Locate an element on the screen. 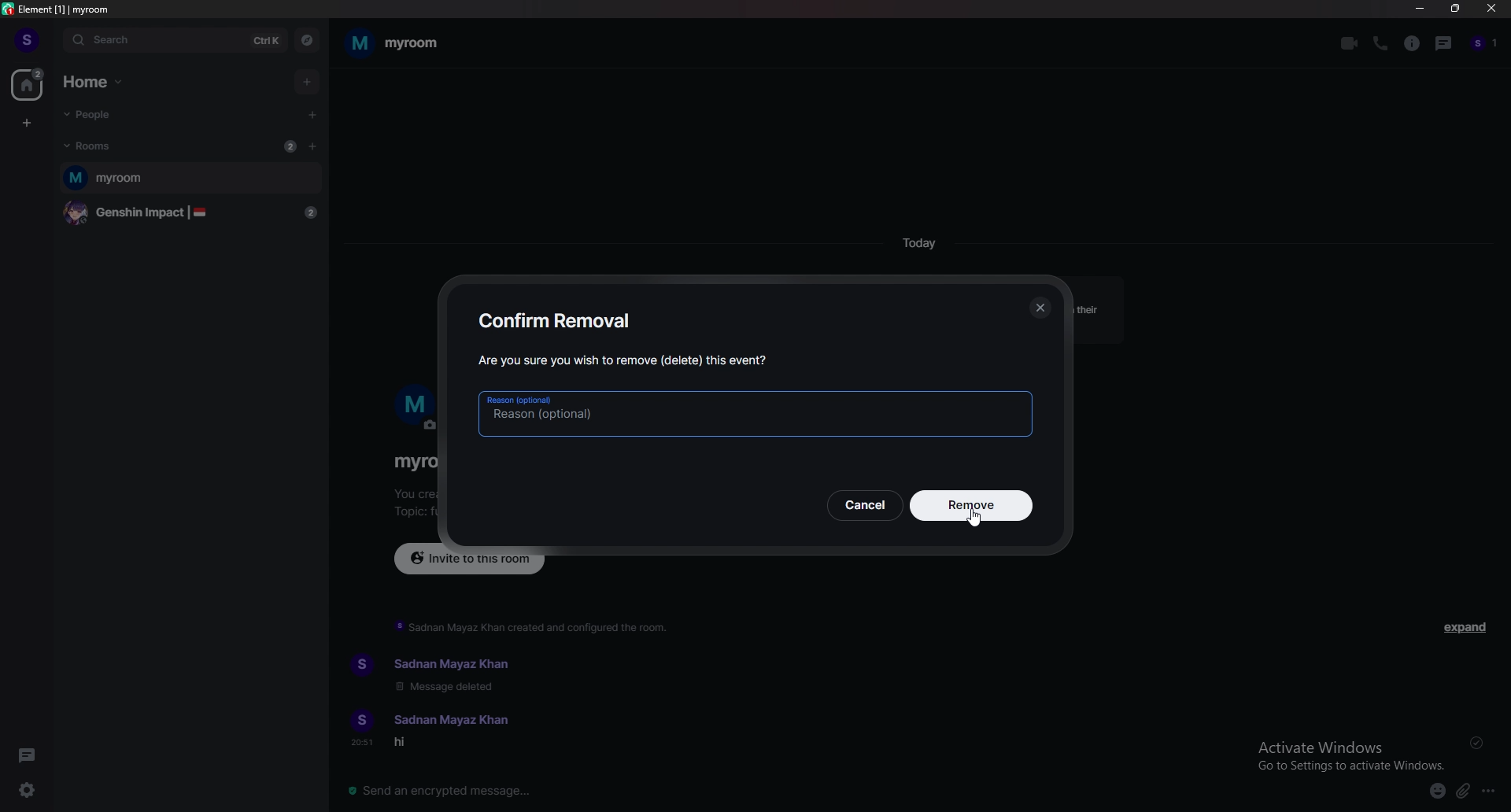 The image size is (1511, 812). close is located at coordinates (1488, 9).